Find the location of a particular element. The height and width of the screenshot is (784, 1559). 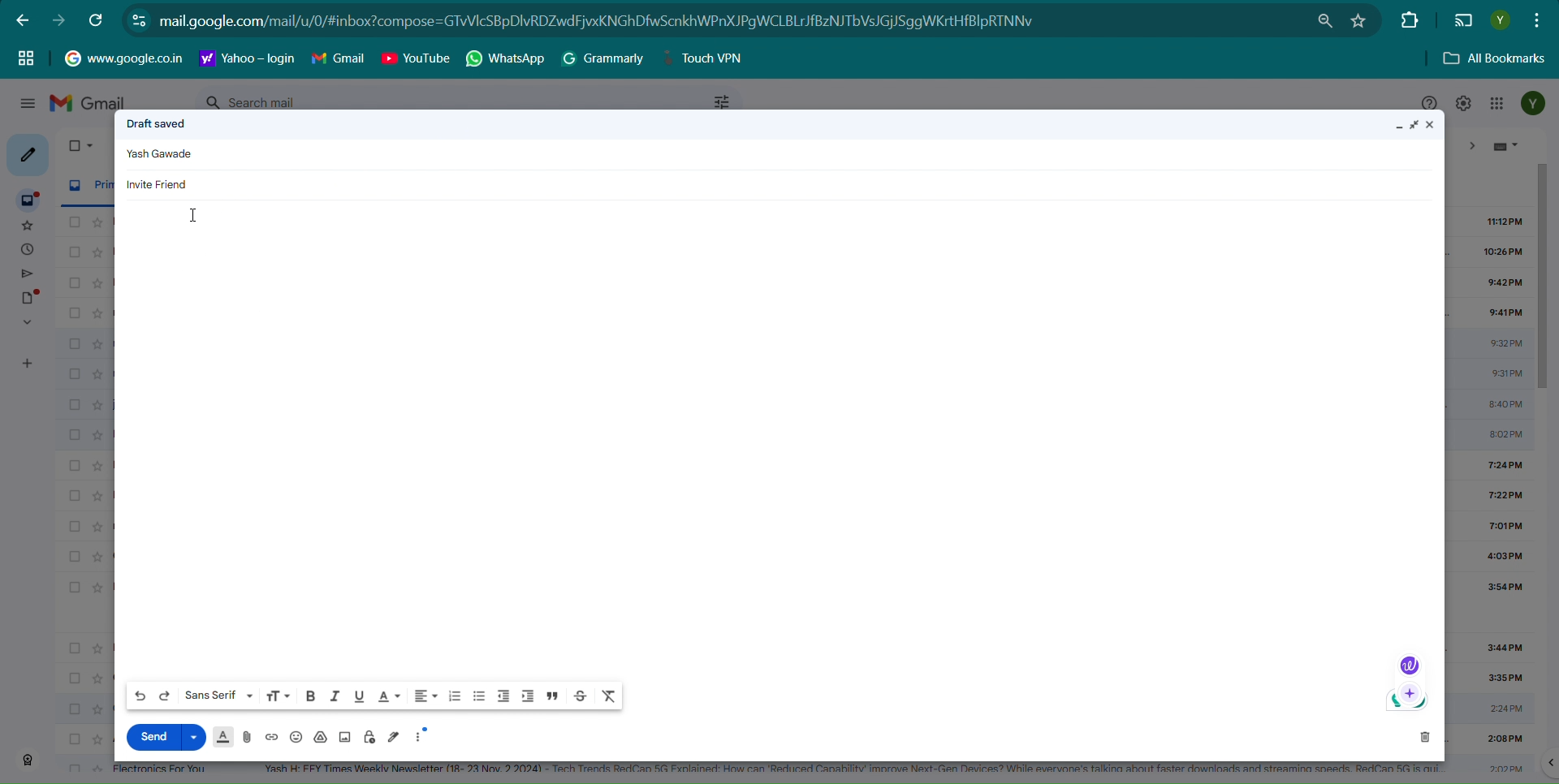

Discard Draft is located at coordinates (1424, 736).